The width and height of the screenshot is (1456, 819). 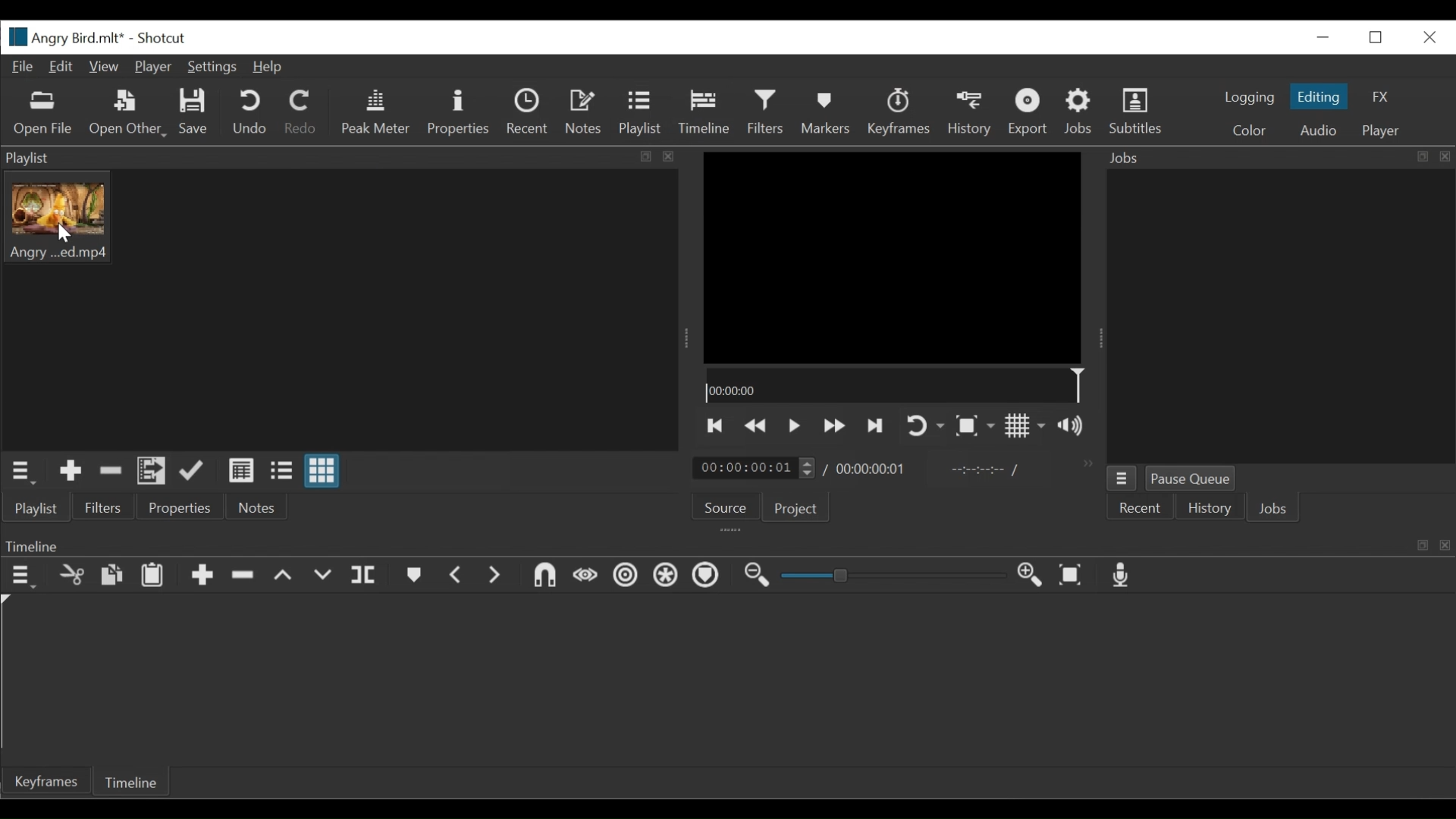 I want to click on Play backward quickly, so click(x=834, y=426).